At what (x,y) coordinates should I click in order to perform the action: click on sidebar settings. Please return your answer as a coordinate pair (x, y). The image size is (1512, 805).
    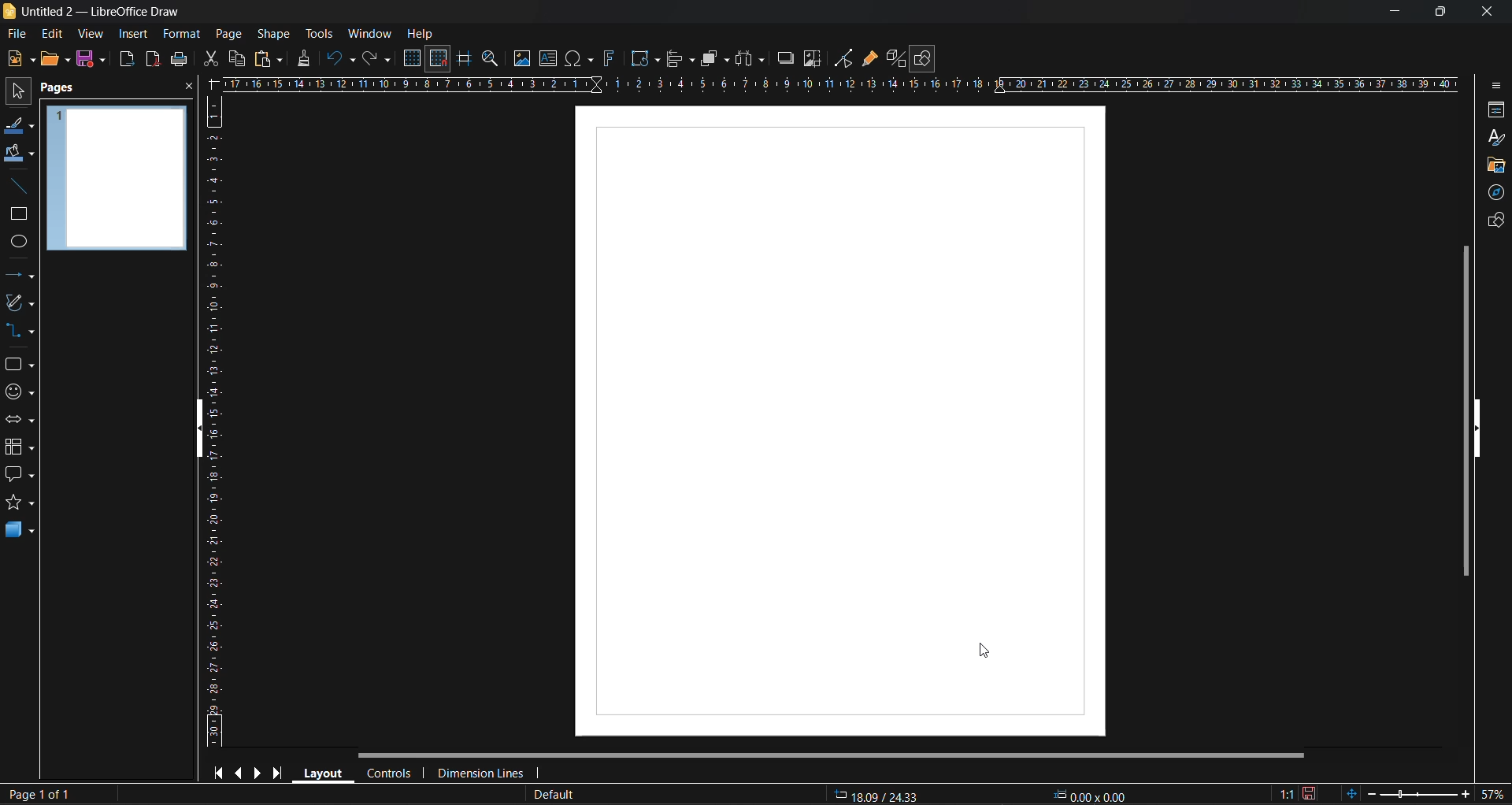
    Looking at the image, I should click on (1499, 86).